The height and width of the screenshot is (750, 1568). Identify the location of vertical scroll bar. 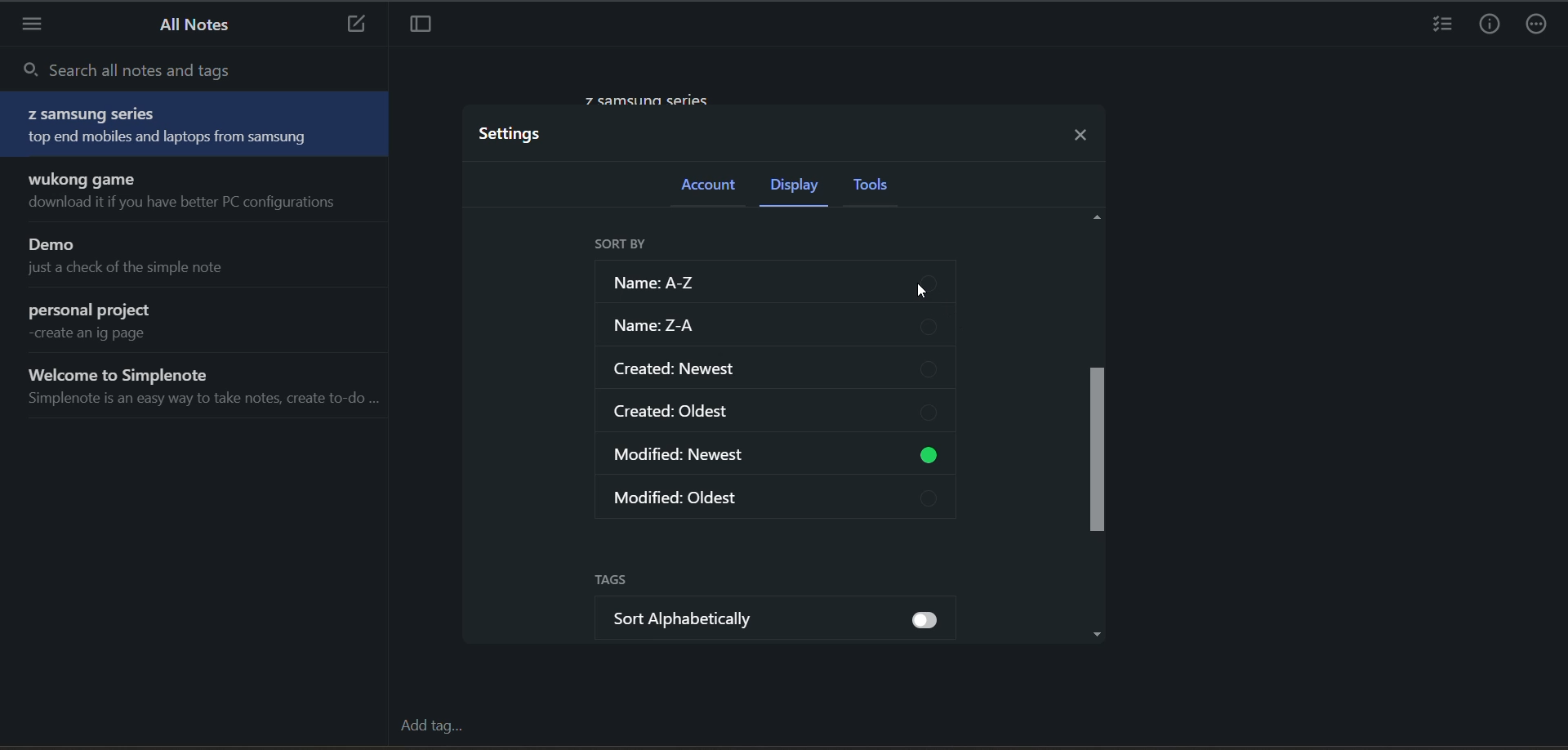
(1101, 449).